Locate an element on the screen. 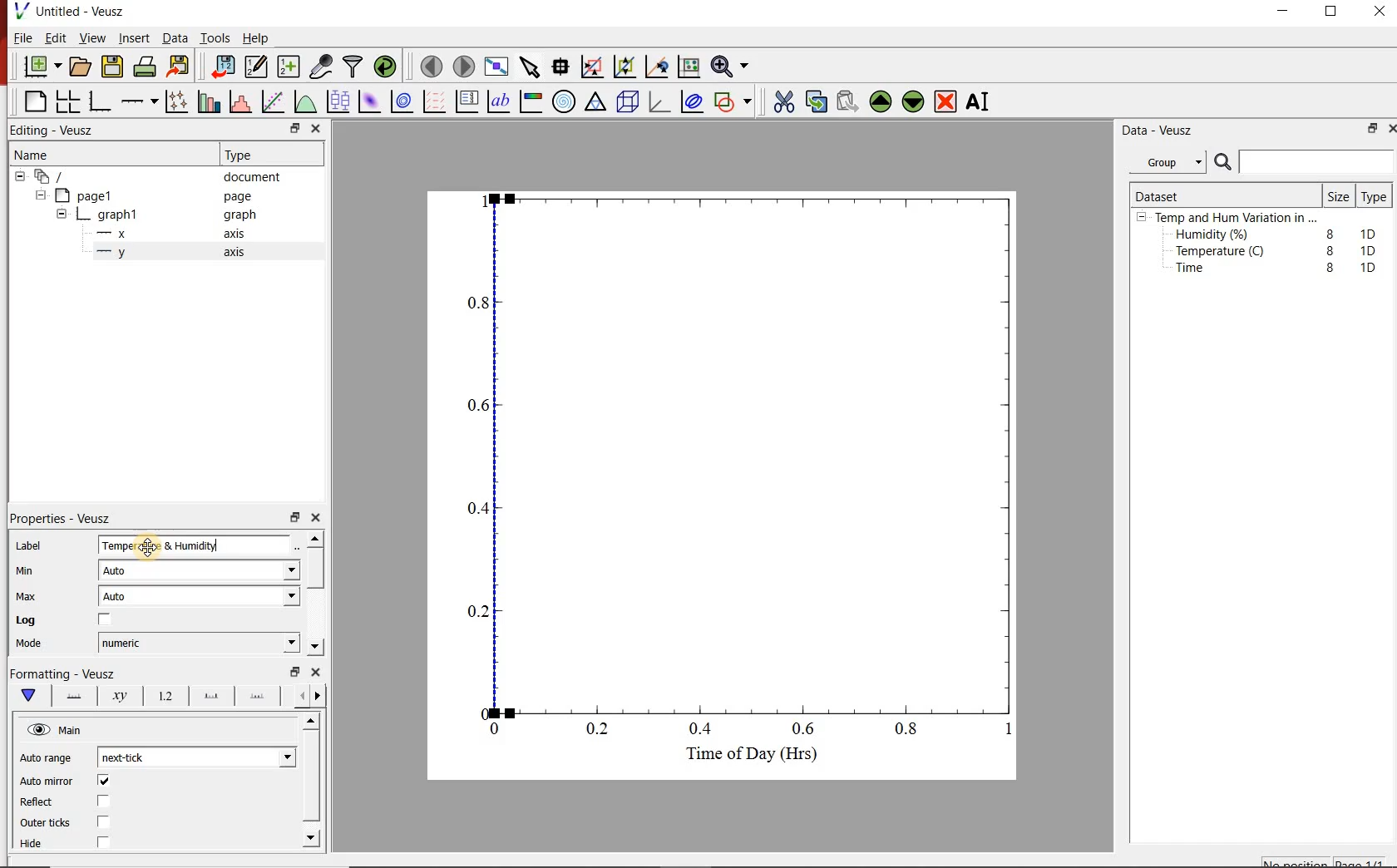 This screenshot has height=868, width=1397. move to the next page is located at coordinates (463, 66).